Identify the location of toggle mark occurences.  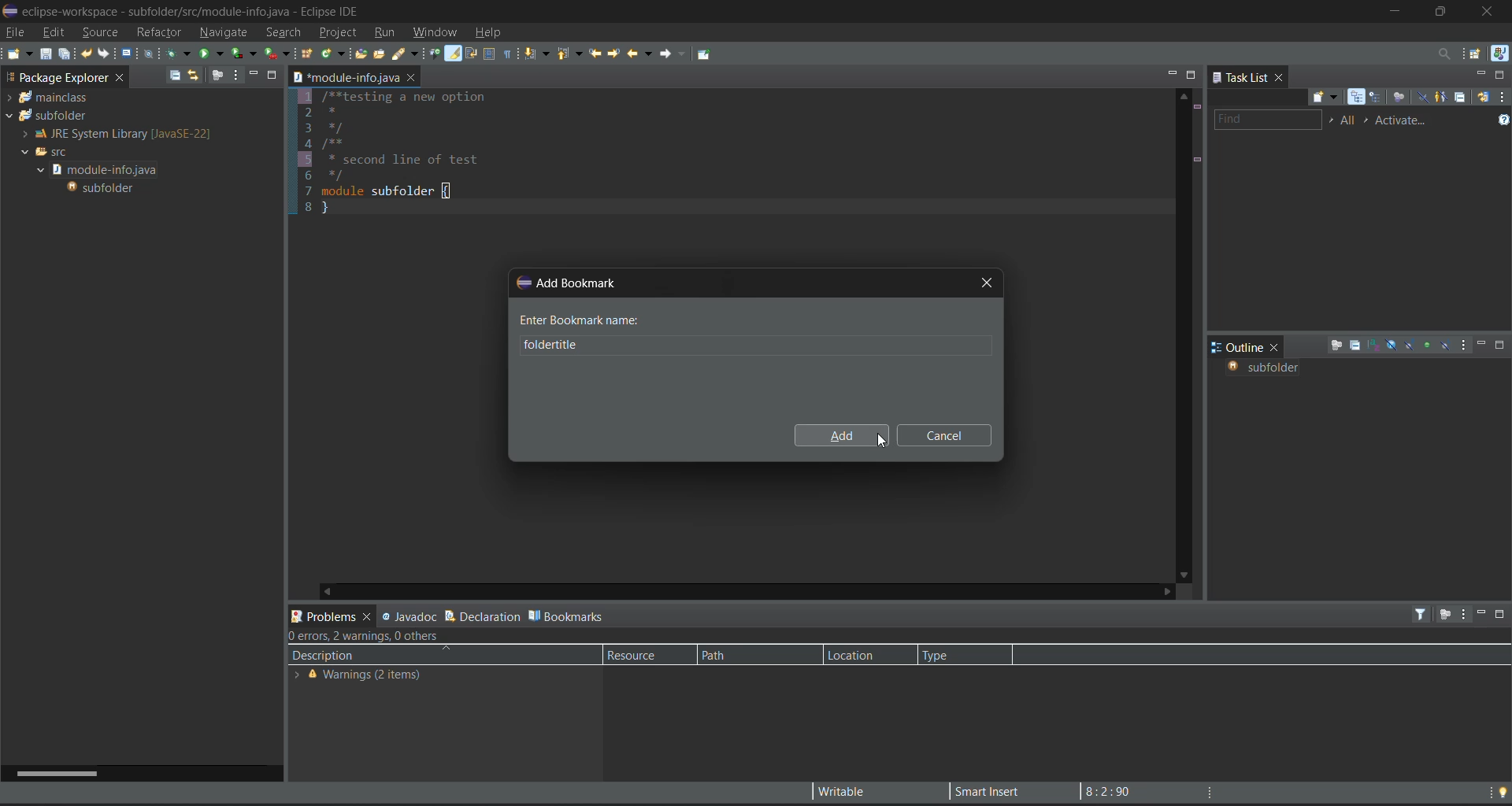
(455, 54).